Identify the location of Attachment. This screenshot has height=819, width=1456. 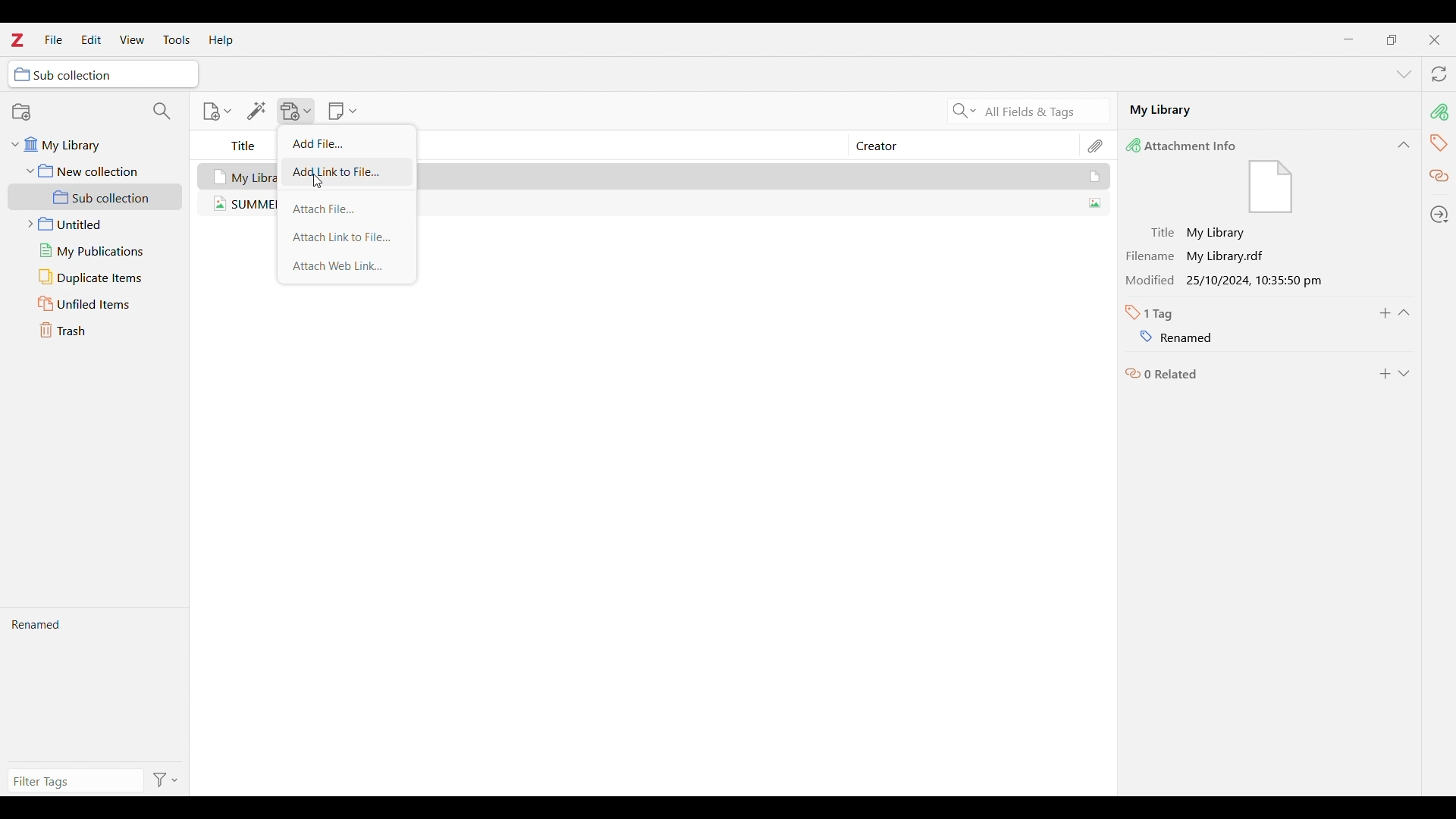
(1097, 145).